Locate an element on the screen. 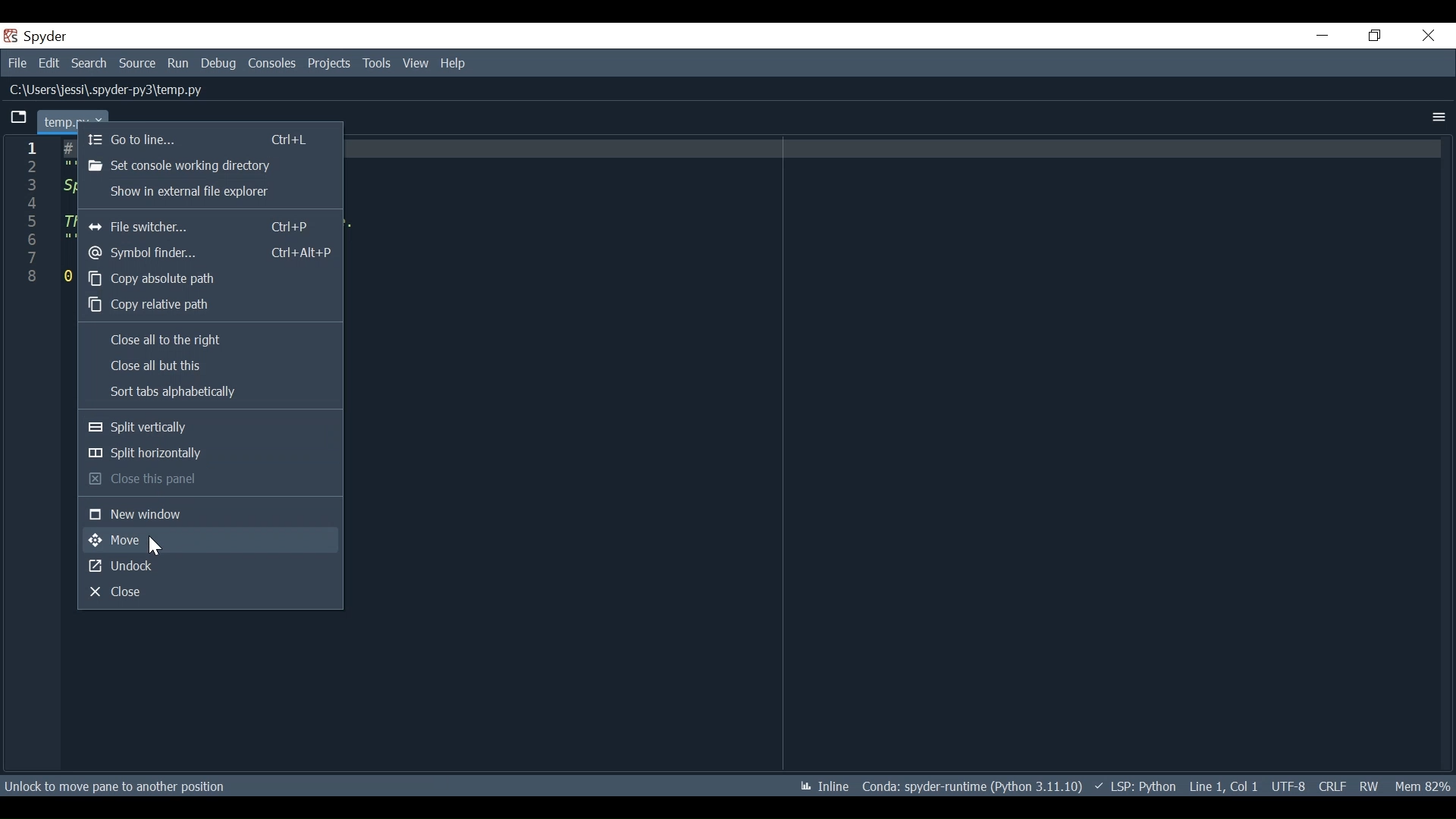 The height and width of the screenshot is (819, 1456). Search is located at coordinates (89, 64).